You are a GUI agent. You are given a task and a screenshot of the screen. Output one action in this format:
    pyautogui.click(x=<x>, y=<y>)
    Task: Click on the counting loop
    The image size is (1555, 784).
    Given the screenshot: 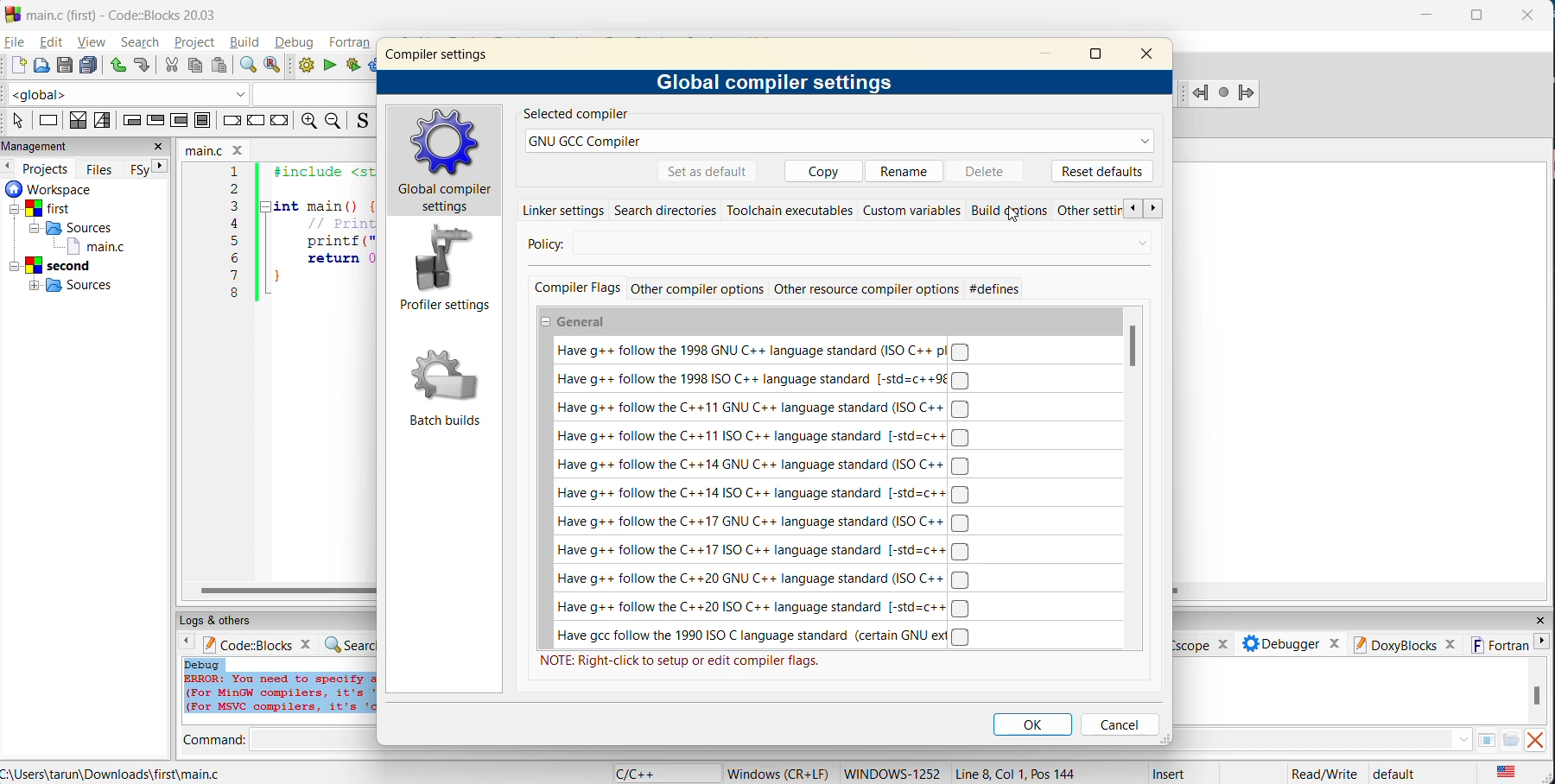 What is the action you would take?
    pyautogui.click(x=181, y=122)
    